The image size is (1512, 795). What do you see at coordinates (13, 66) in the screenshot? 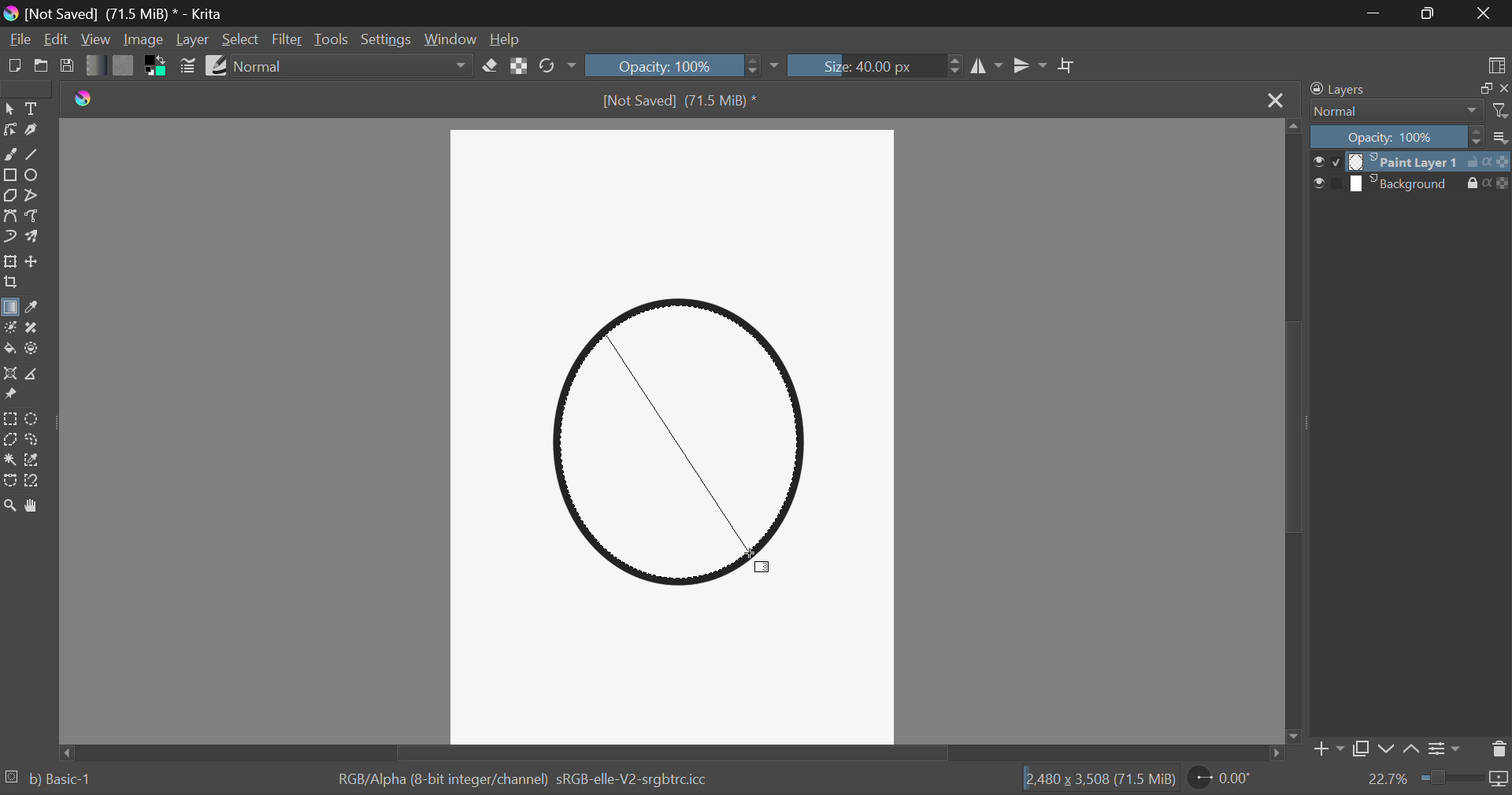
I see `New` at bounding box center [13, 66].